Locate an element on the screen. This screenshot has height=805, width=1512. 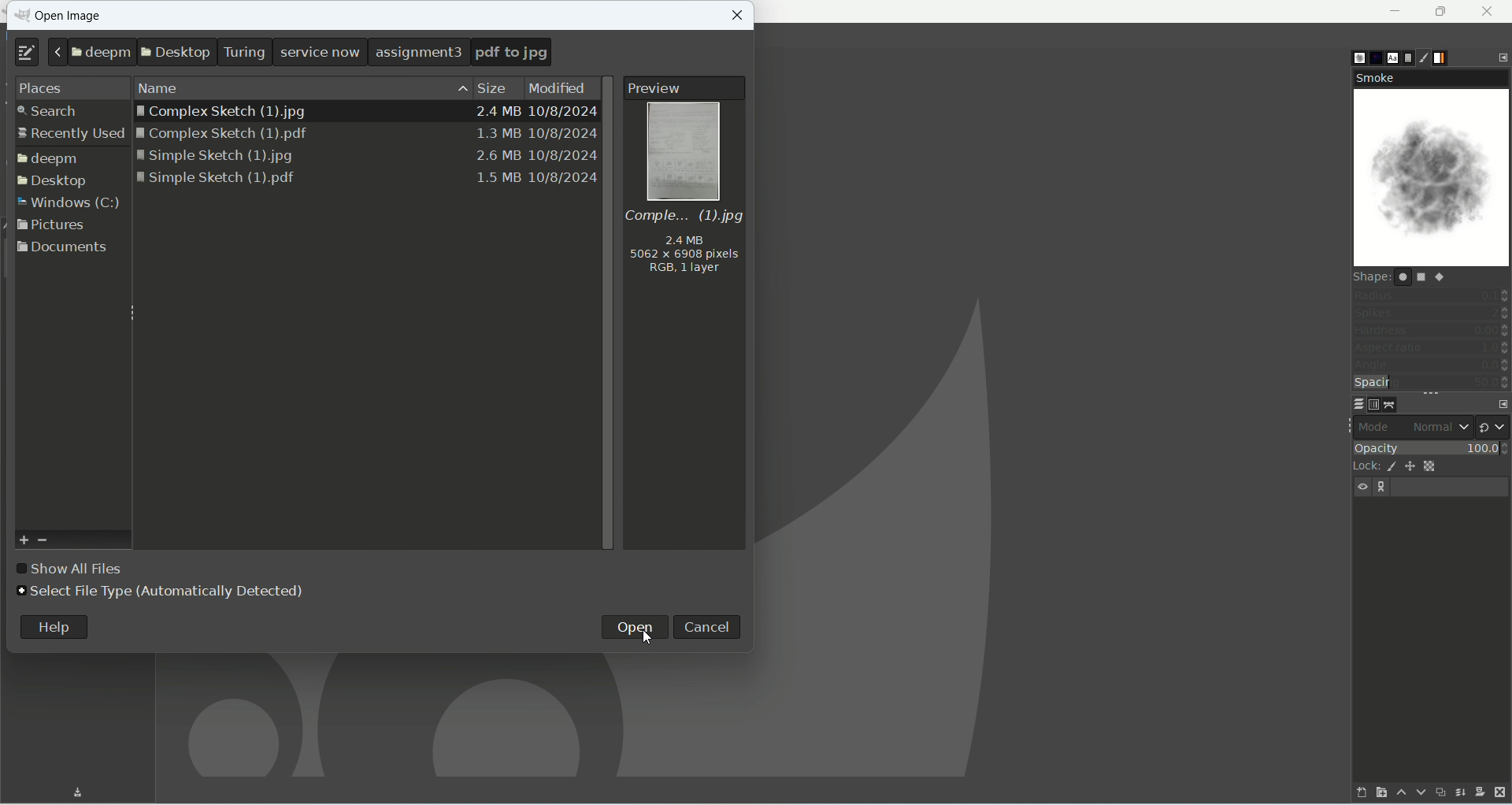
Simple sketch is located at coordinates (365, 154).